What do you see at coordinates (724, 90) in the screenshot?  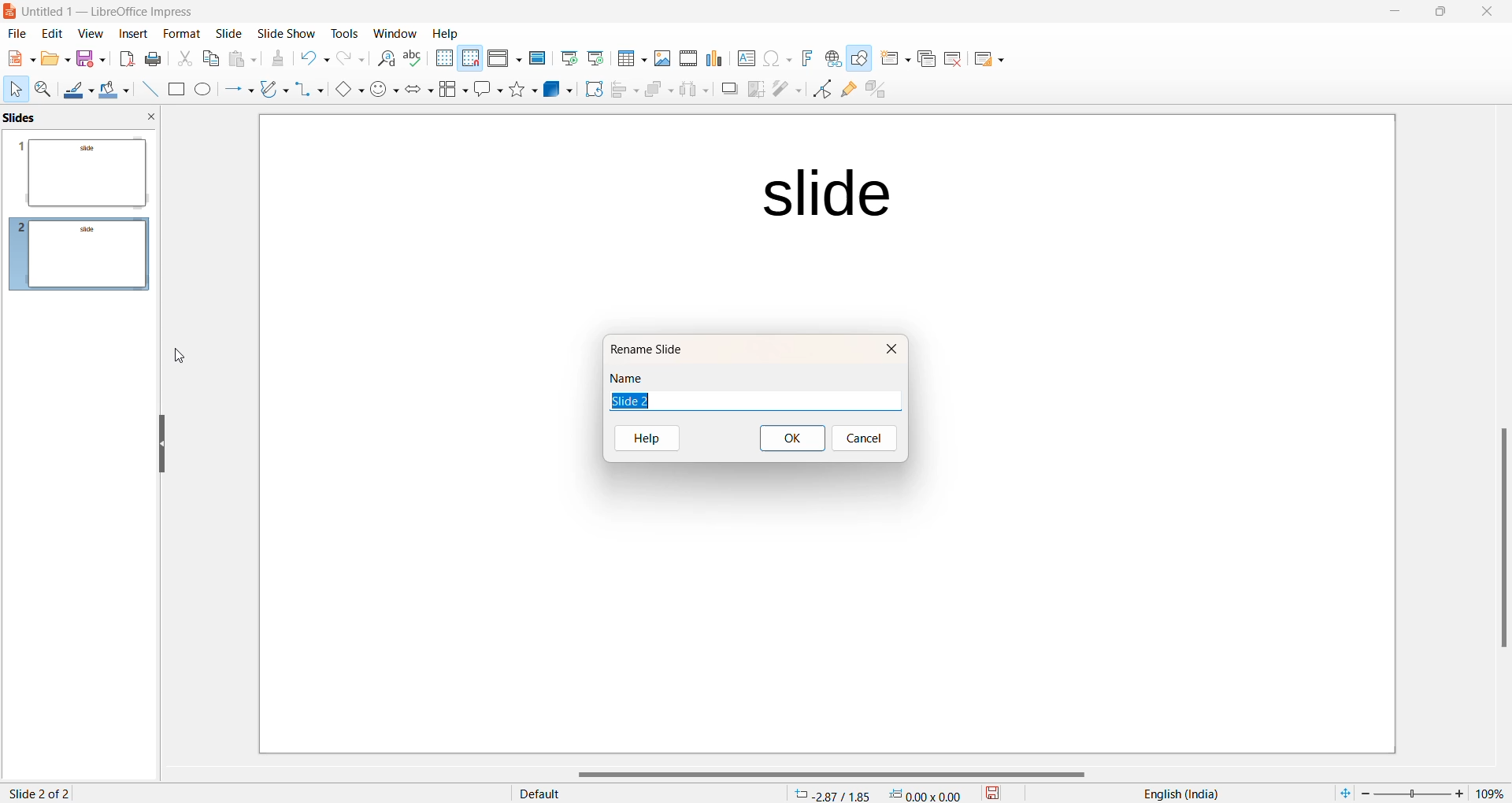 I see `Shadow` at bounding box center [724, 90].